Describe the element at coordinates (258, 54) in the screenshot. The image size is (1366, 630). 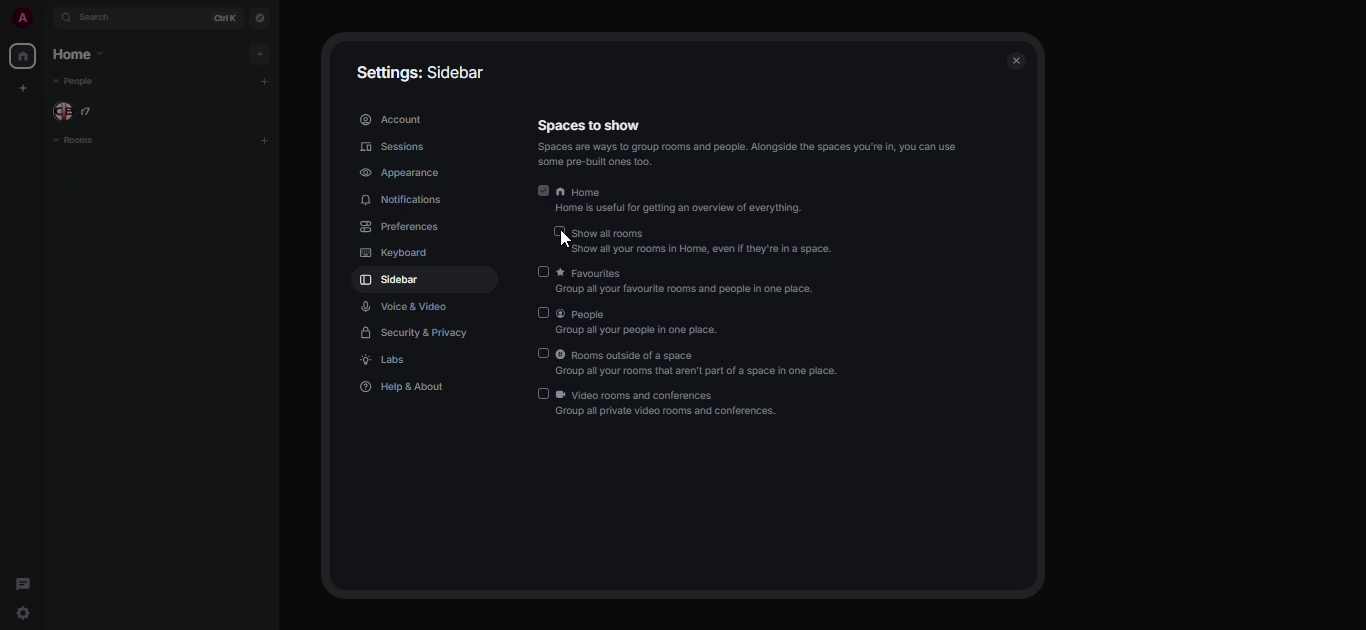
I see `add` at that location.